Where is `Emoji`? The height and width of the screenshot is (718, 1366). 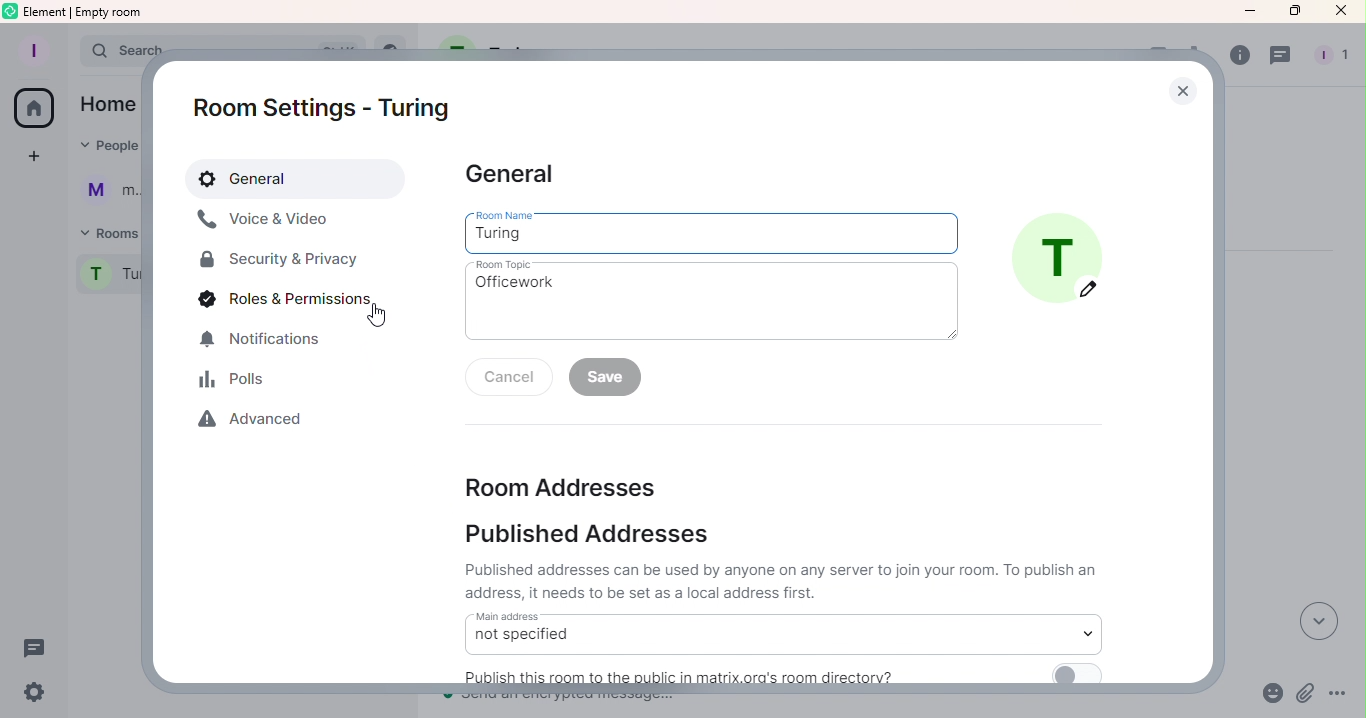
Emoji is located at coordinates (1272, 695).